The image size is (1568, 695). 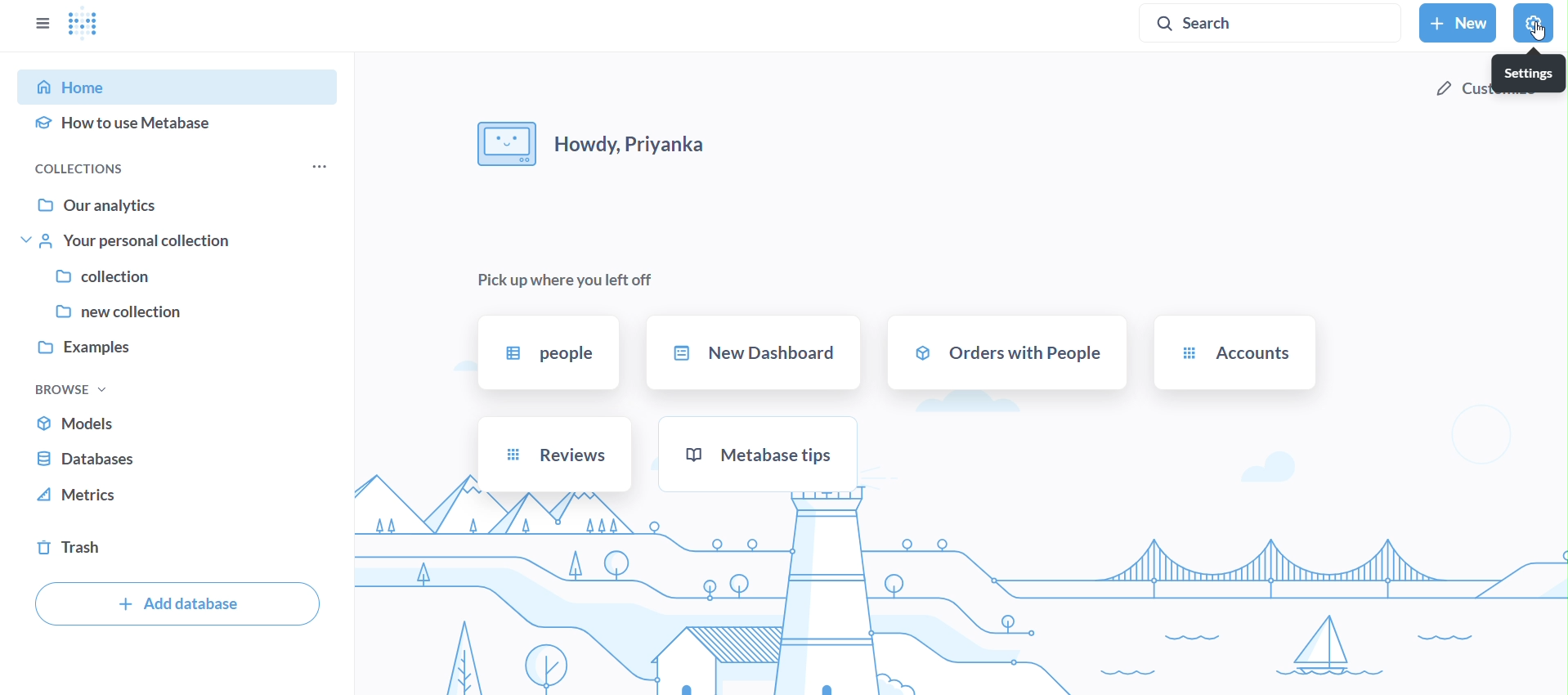 I want to click on models, so click(x=178, y=424).